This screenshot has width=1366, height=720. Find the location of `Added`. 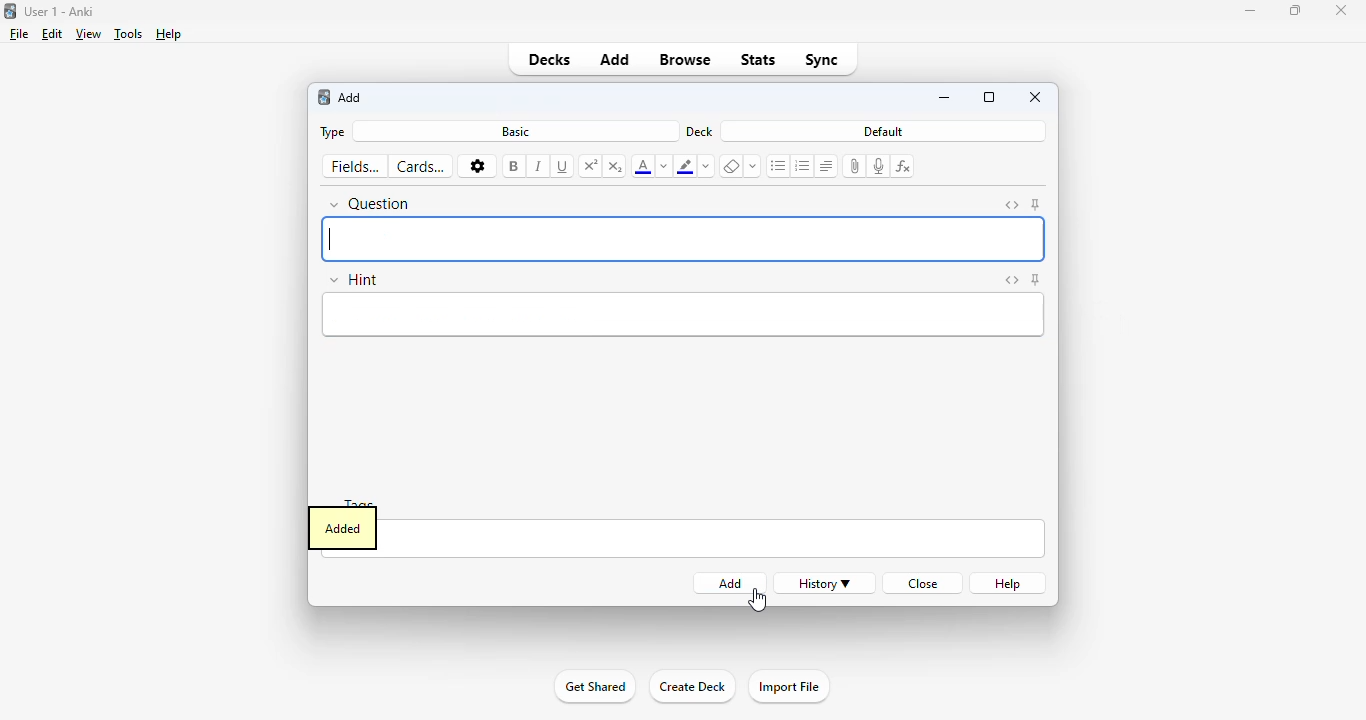

Added is located at coordinates (340, 527).